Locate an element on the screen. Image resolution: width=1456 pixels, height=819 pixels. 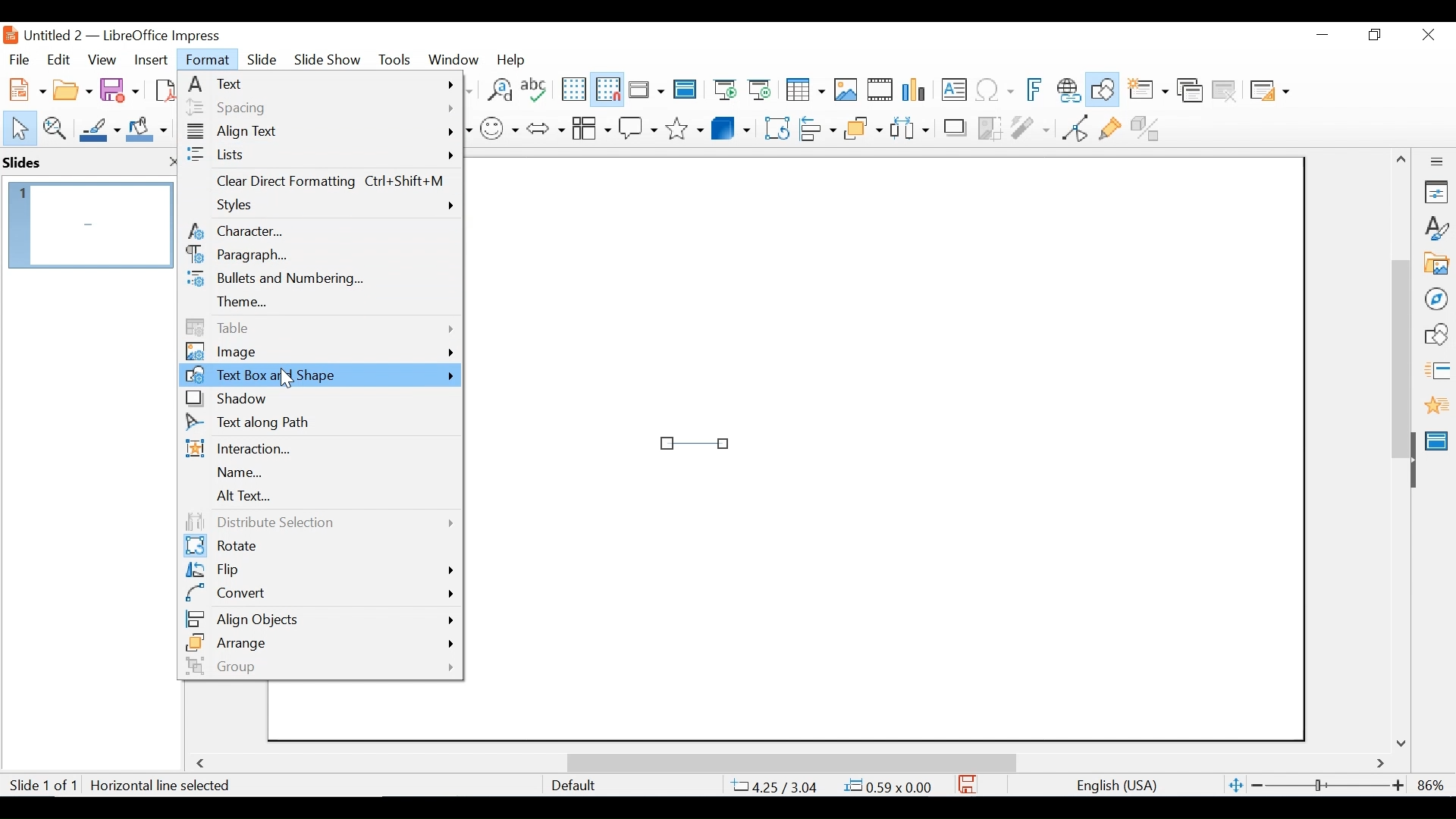
Duplicate slide is located at coordinates (1190, 91).